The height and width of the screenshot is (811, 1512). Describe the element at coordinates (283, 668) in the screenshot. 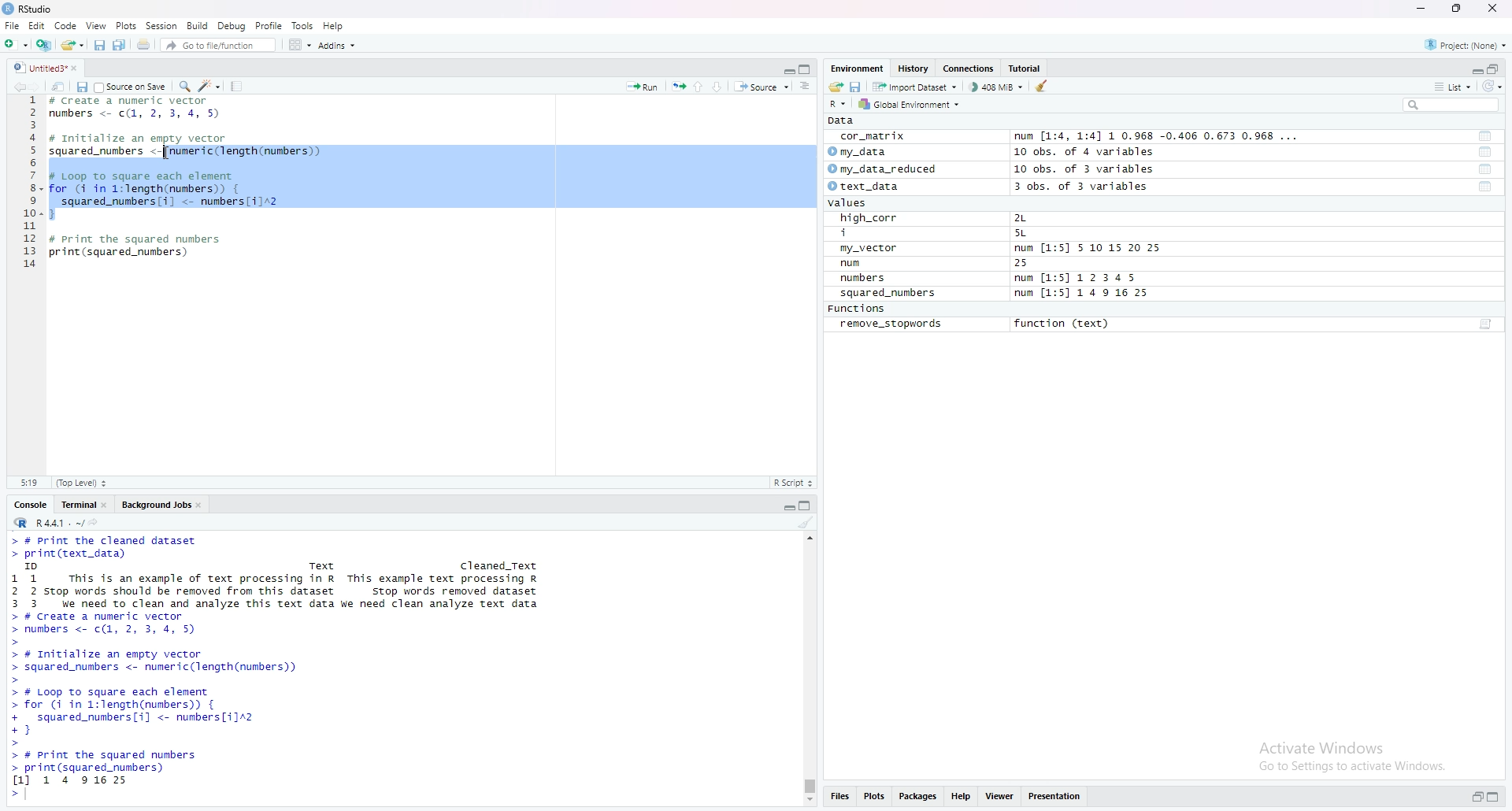

I see `> # print the cleaned dataset> print(text_data)™ Text Cleaned_Text11 This is an example of text processing in R This example text processing R2 2 stop words should be removed from this dataset stop words removed dataset3 3 ve need to clean and analyze this text data We need clean analyze text data> # Create a numeric vector> numbers <- c(1, 2, 3, 4, 5)> # Initialize an empty vector> squared_numbers <- numer ic(length(numbers))> # Loop To square each element> for (i in 1:length(numbers)) {+ squared_numbers[i] <- nunbers[i12+}> # print the squared numbers> print(squared_numbers)1] 1 4 9 16 25 >` at that location.